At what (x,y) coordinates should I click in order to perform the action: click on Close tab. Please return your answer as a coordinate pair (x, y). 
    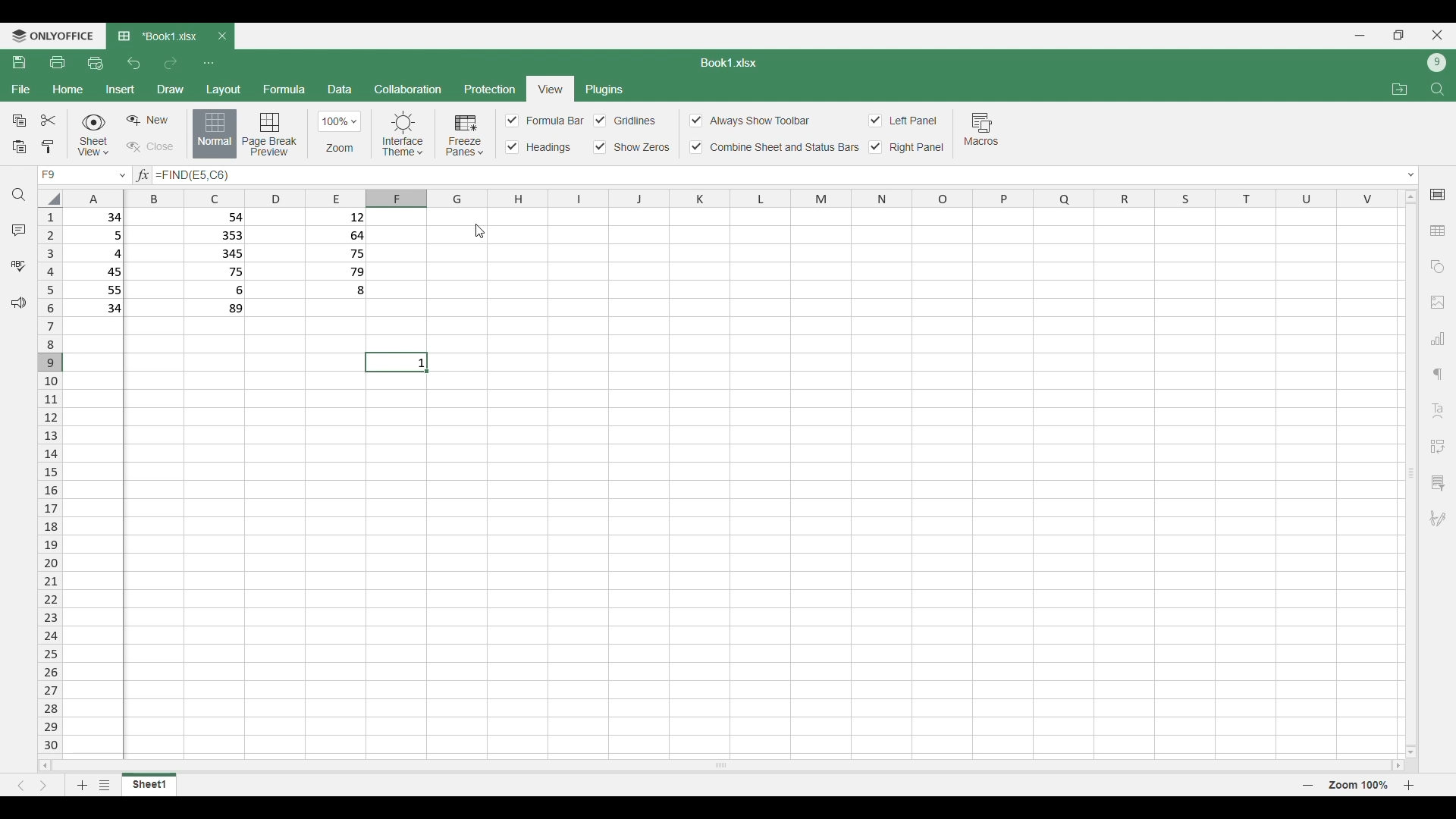
    Looking at the image, I should click on (222, 36).